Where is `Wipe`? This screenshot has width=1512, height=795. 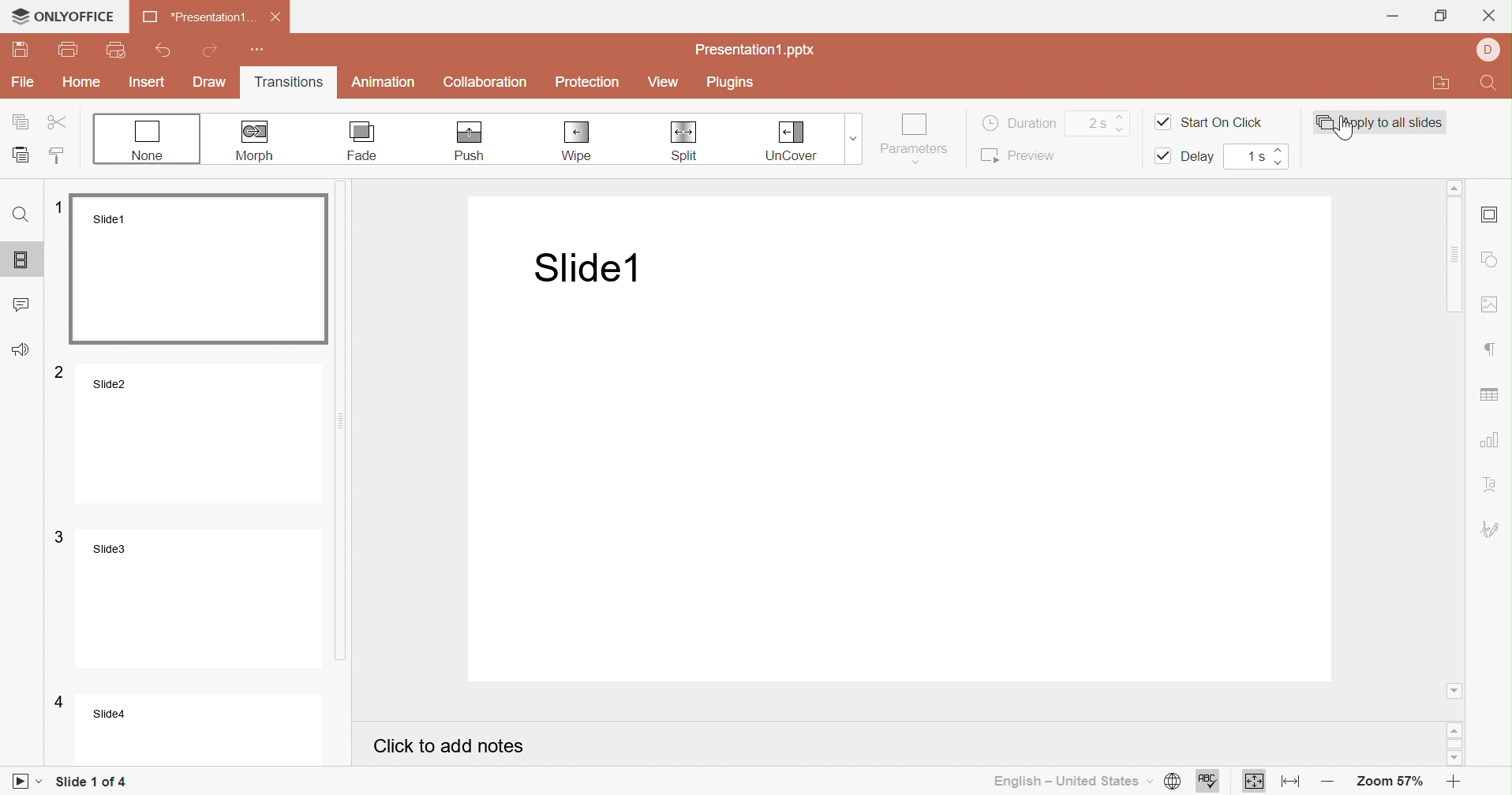
Wipe is located at coordinates (577, 140).